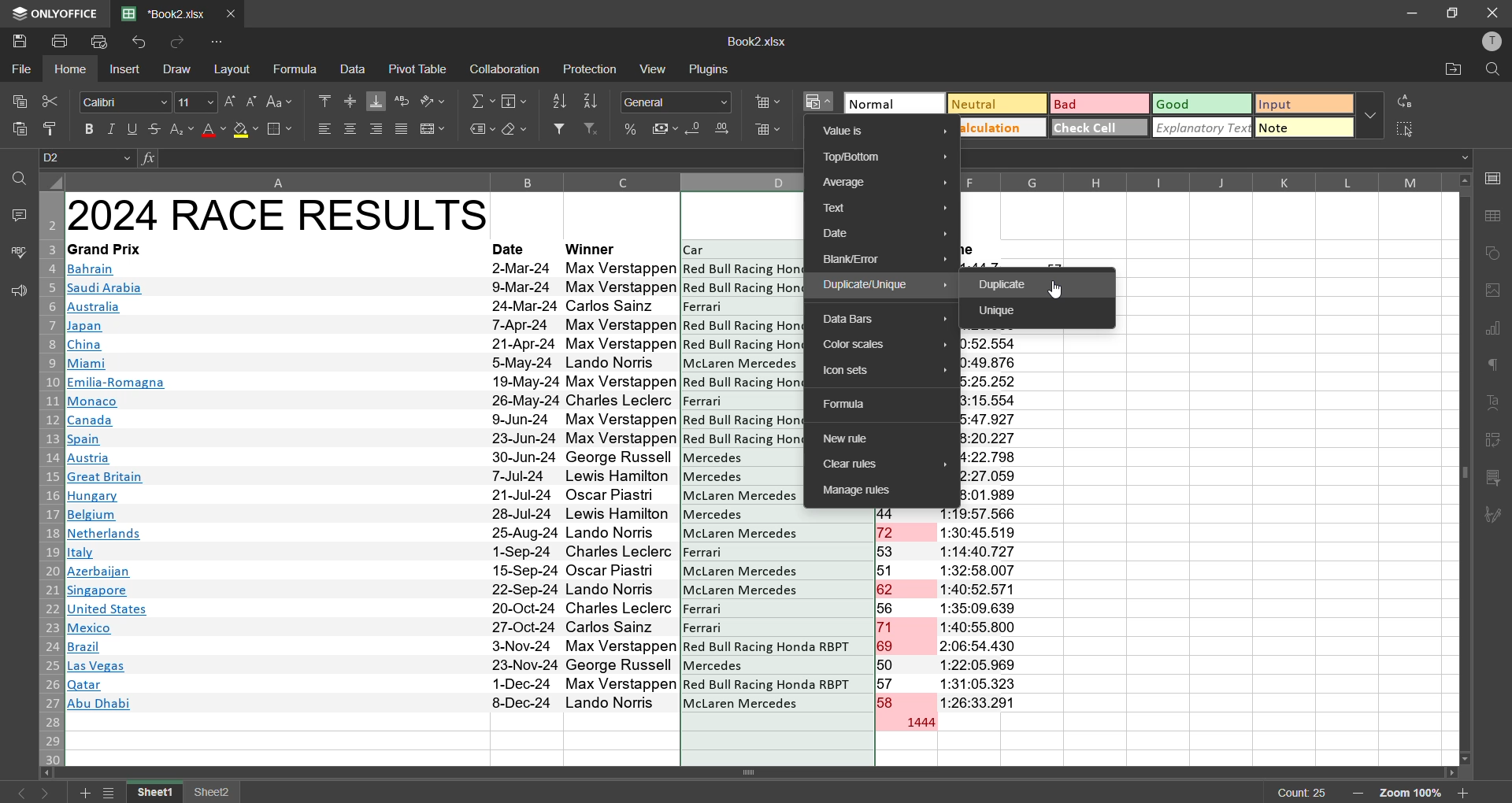  Describe the element at coordinates (1463, 793) in the screenshot. I see `zoom in` at that location.